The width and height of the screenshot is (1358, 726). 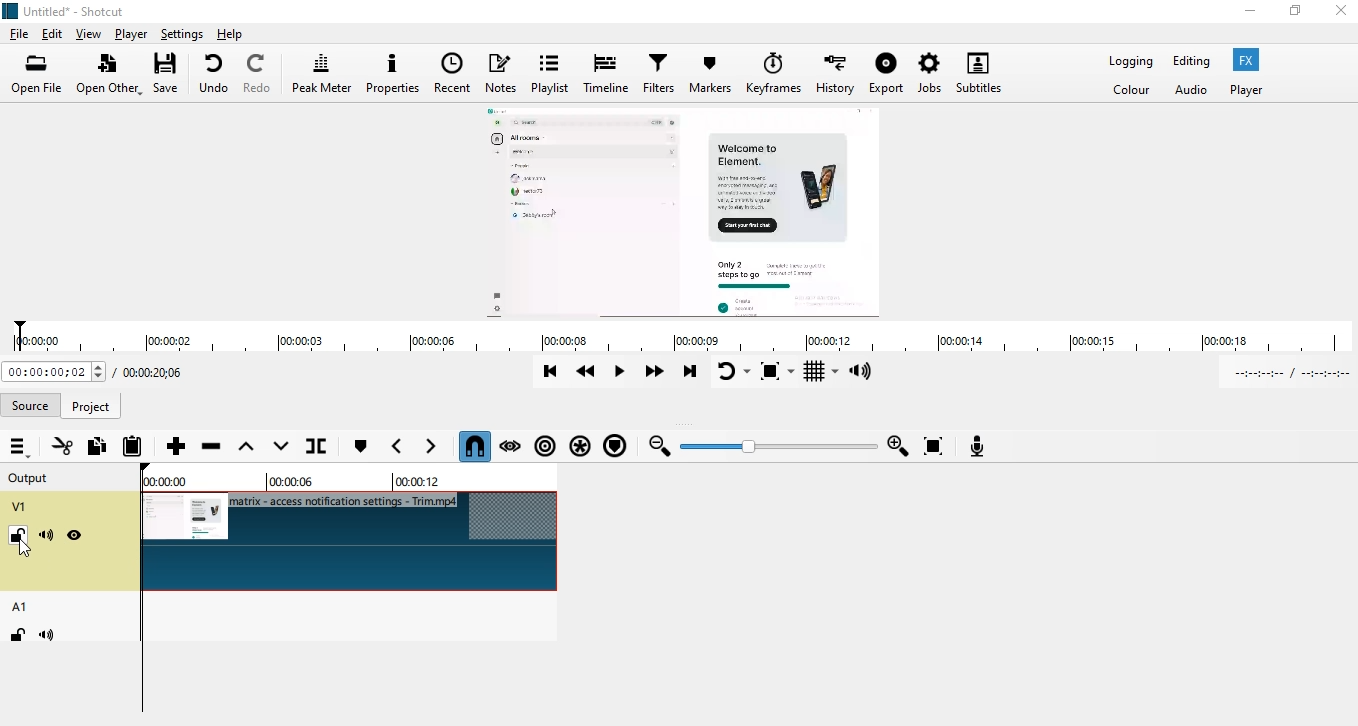 What do you see at coordinates (21, 605) in the screenshot?
I see `a1` at bounding box center [21, 605].